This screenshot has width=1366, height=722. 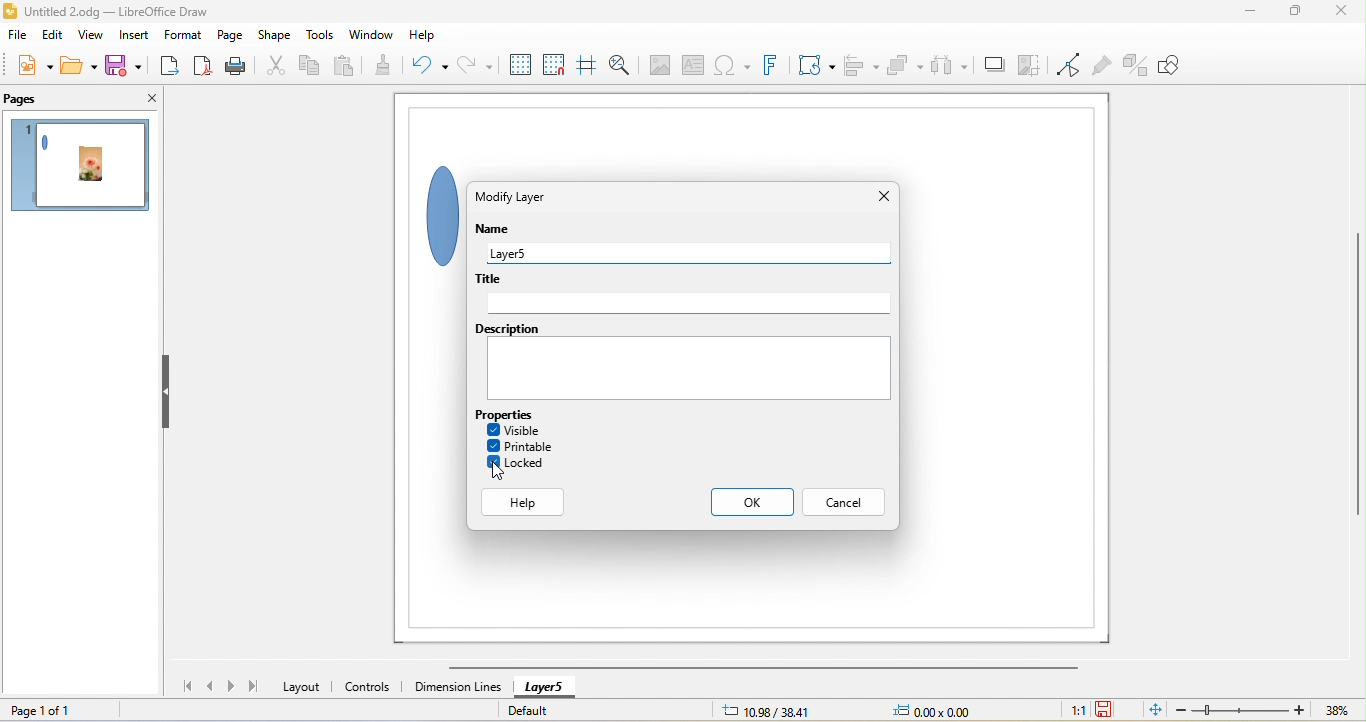 I want to click on title, so click(x=118, y=11).